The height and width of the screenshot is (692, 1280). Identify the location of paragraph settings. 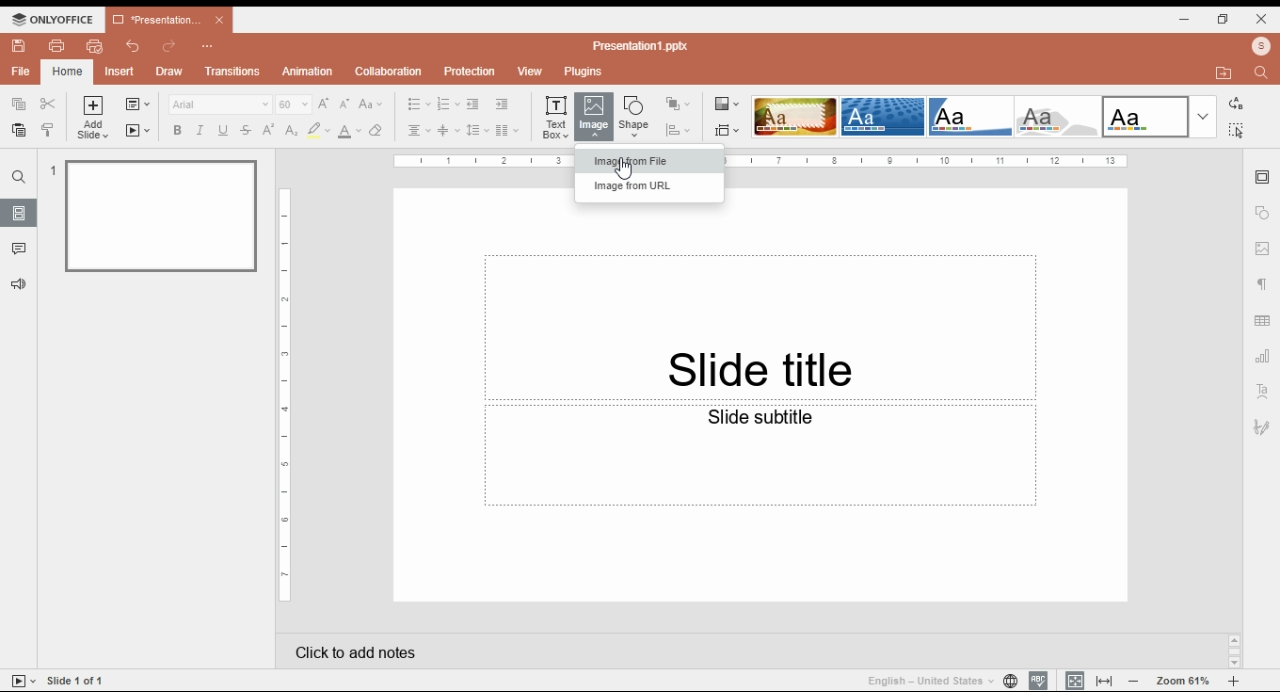
(1261, 284).